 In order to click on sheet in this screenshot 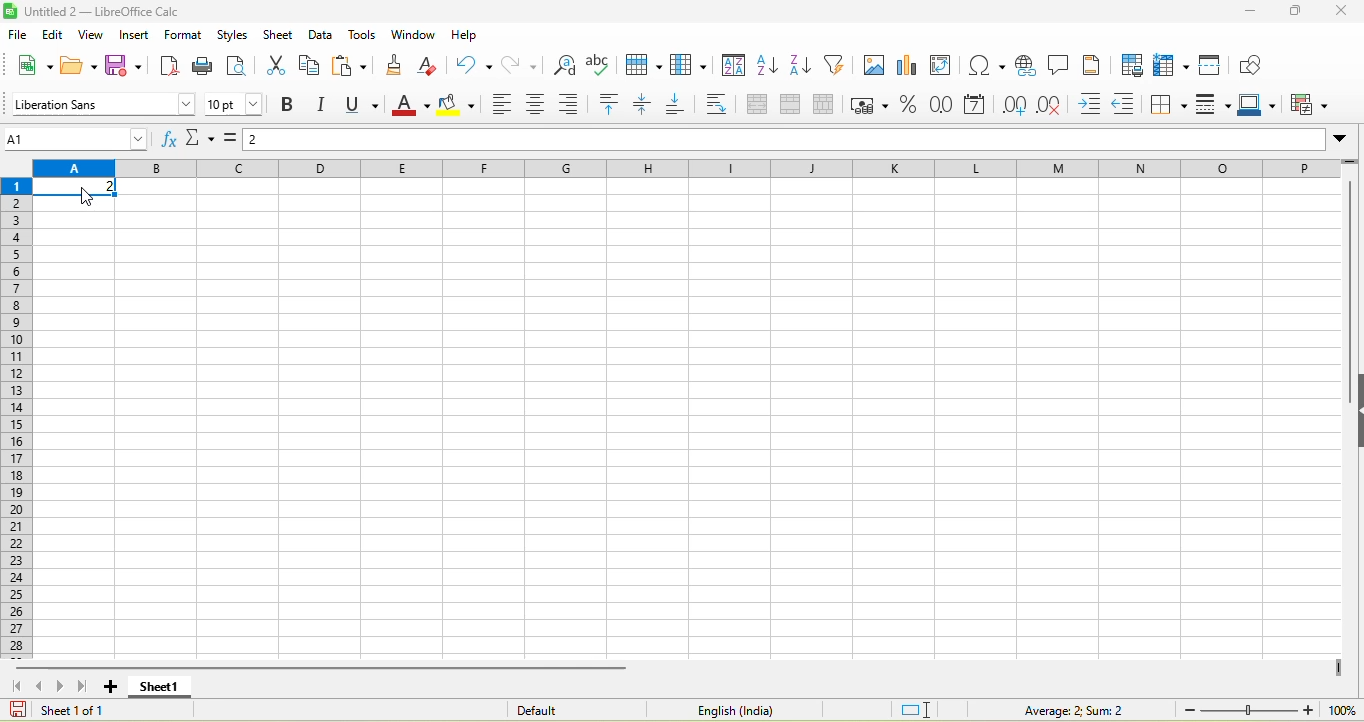, I will do `click(278, 35)`.